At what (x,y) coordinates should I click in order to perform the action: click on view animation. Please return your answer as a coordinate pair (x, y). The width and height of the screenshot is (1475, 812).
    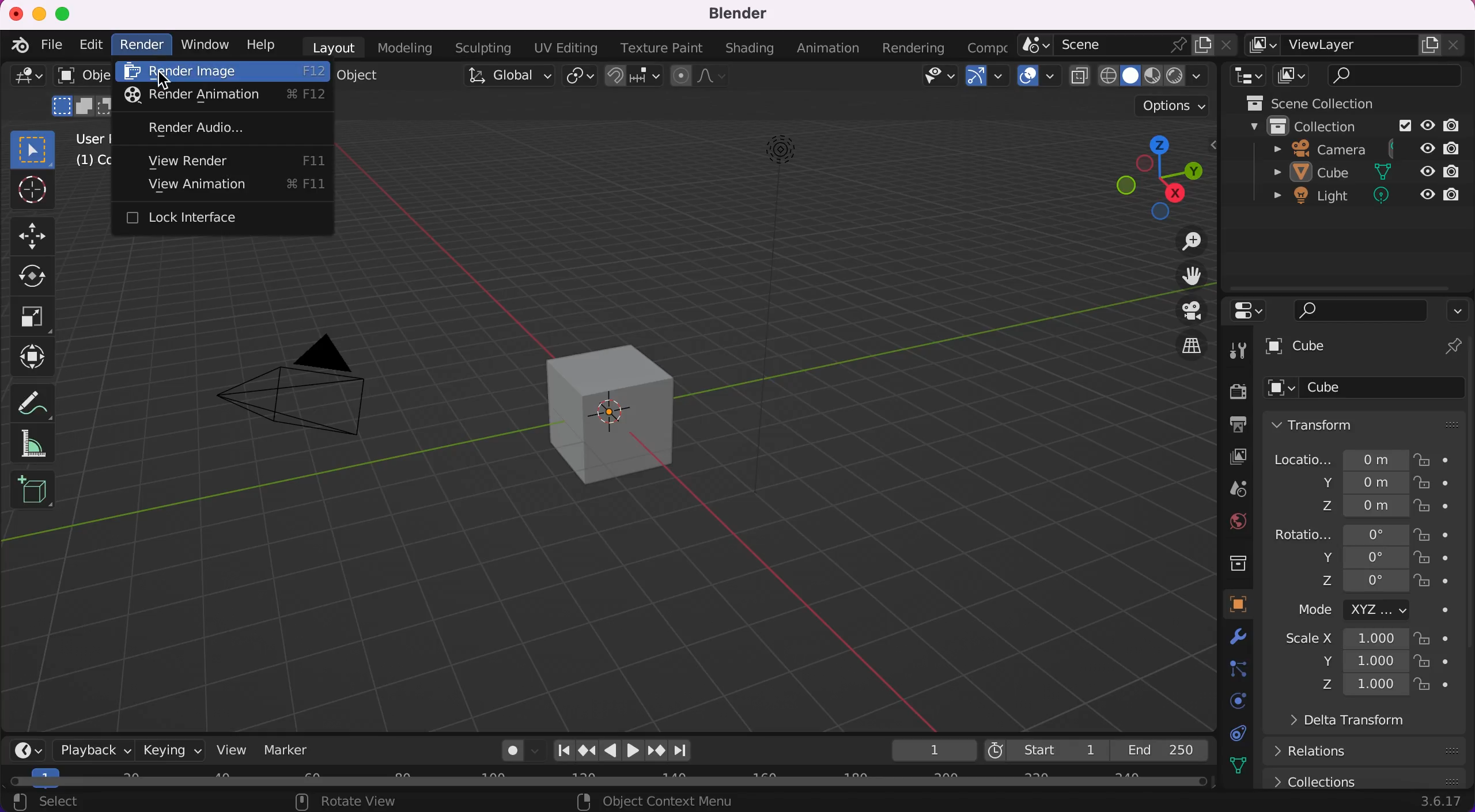
    Looking at the image, I should click on (186, 187).